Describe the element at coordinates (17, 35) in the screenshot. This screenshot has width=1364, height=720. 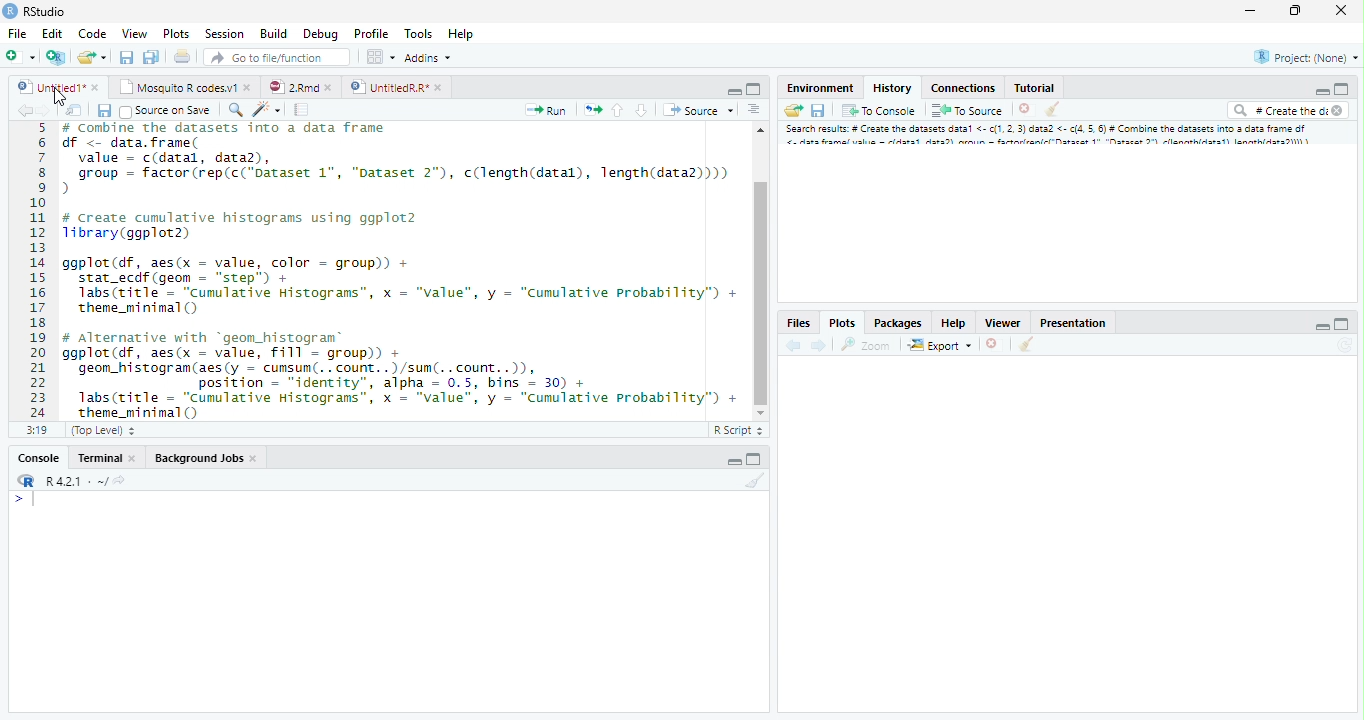
I see `File` at that location.